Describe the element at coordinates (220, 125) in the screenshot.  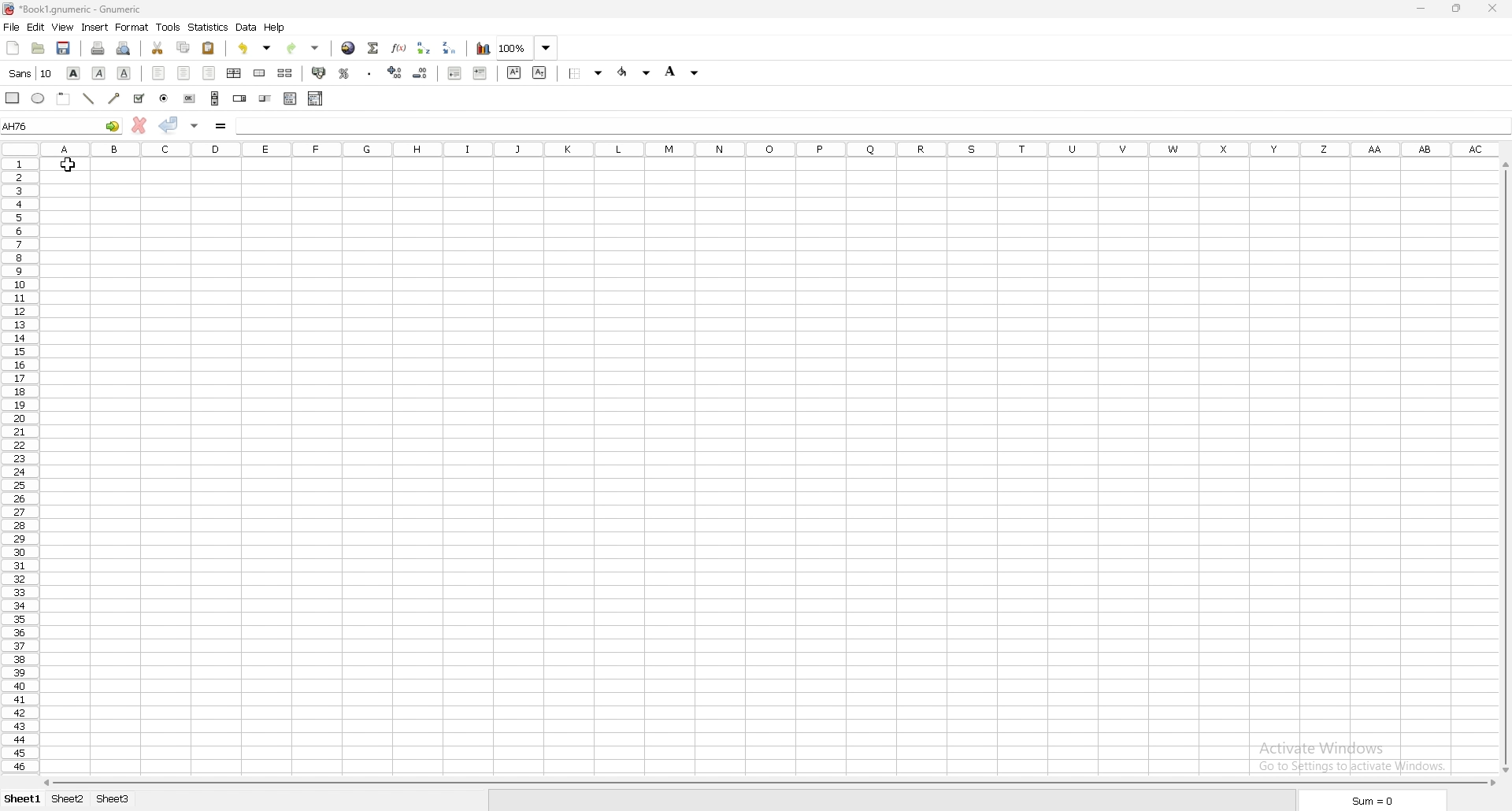
I see `formula` at that location.